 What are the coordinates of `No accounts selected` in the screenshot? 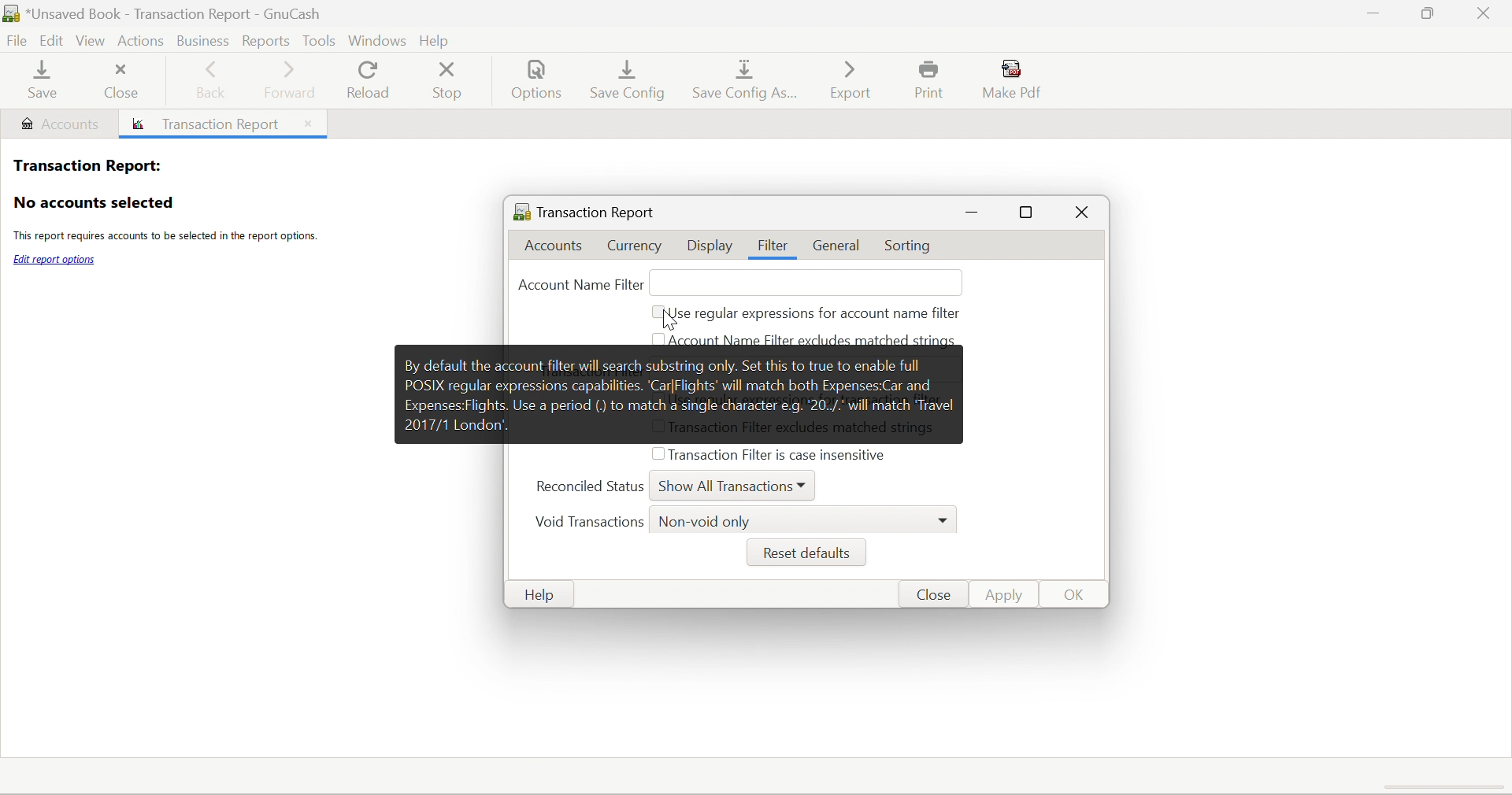 It's located at (93, 203).